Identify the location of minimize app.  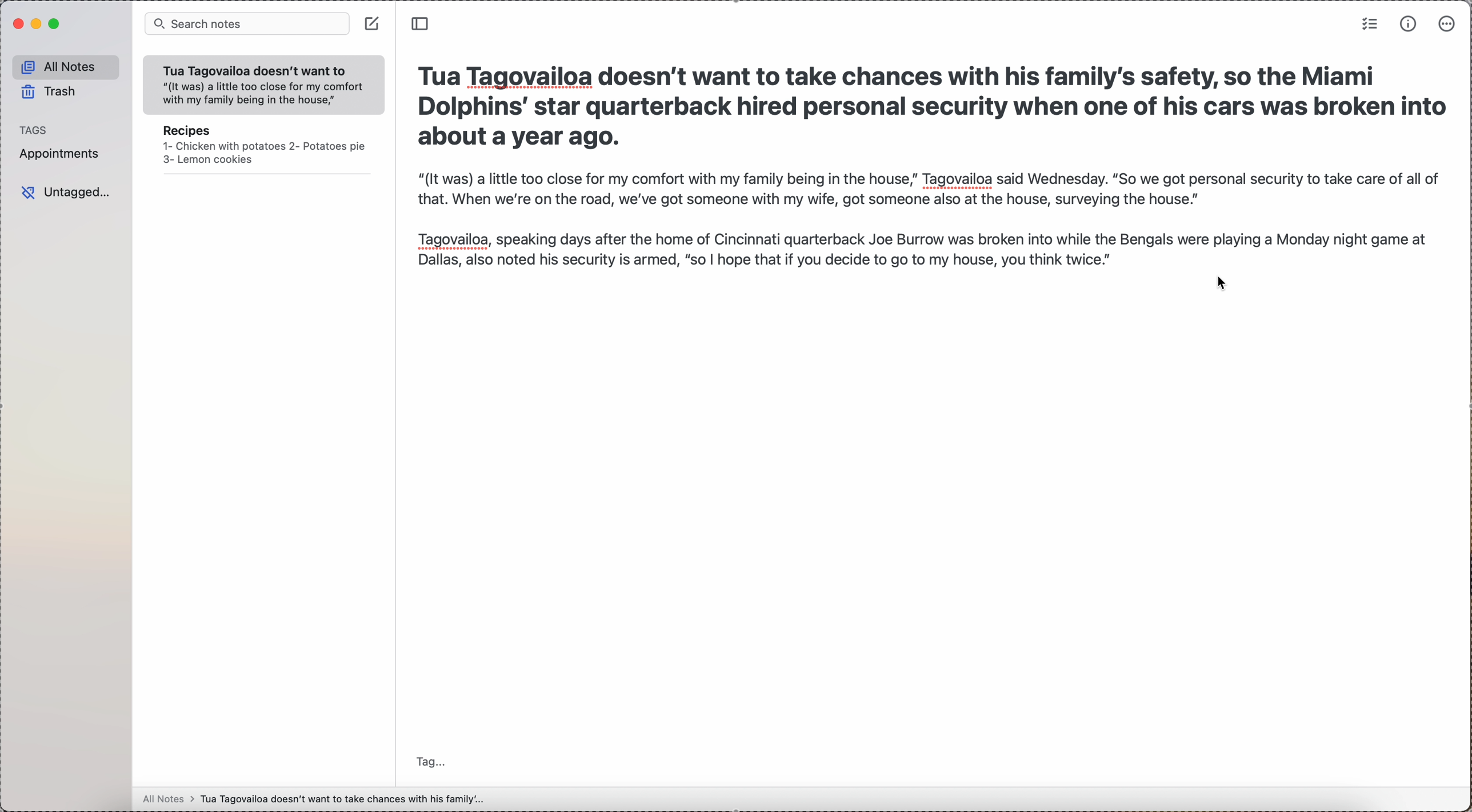
(38, 25).